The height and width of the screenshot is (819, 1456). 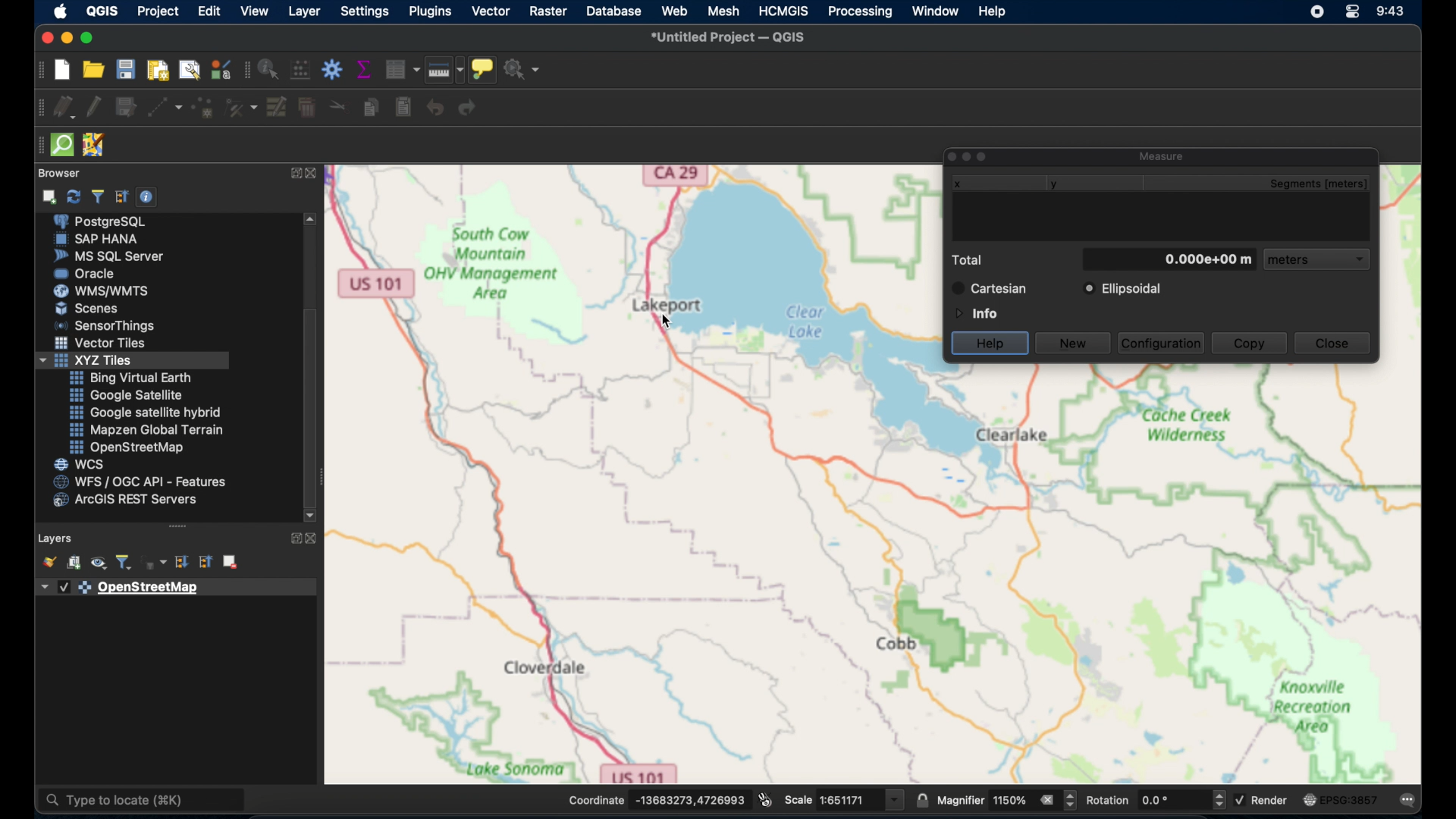 I want to click on add selected, so click(x=51, y=196).